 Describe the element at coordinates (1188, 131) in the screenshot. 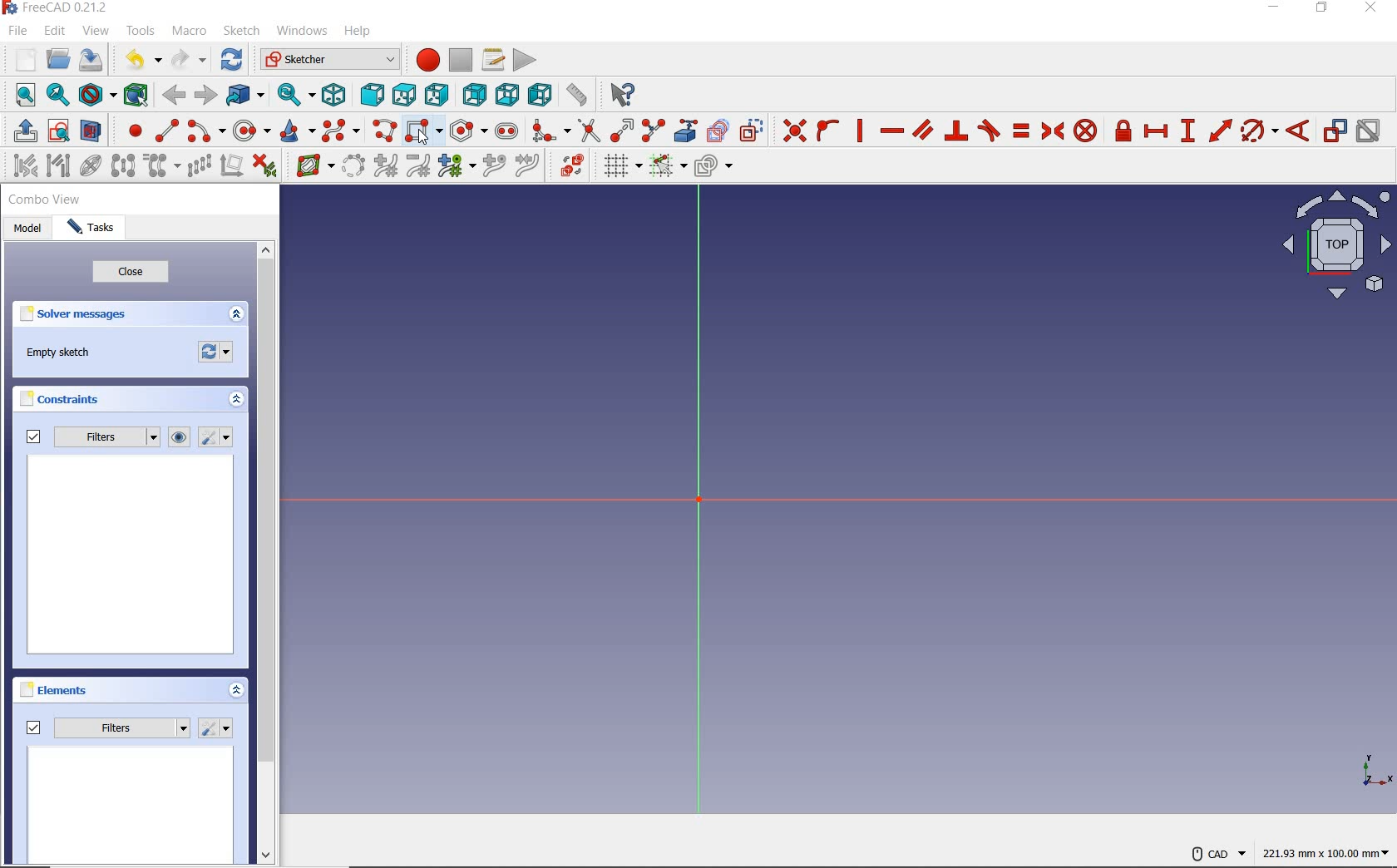

I see `constrain vertical distance` at that location.